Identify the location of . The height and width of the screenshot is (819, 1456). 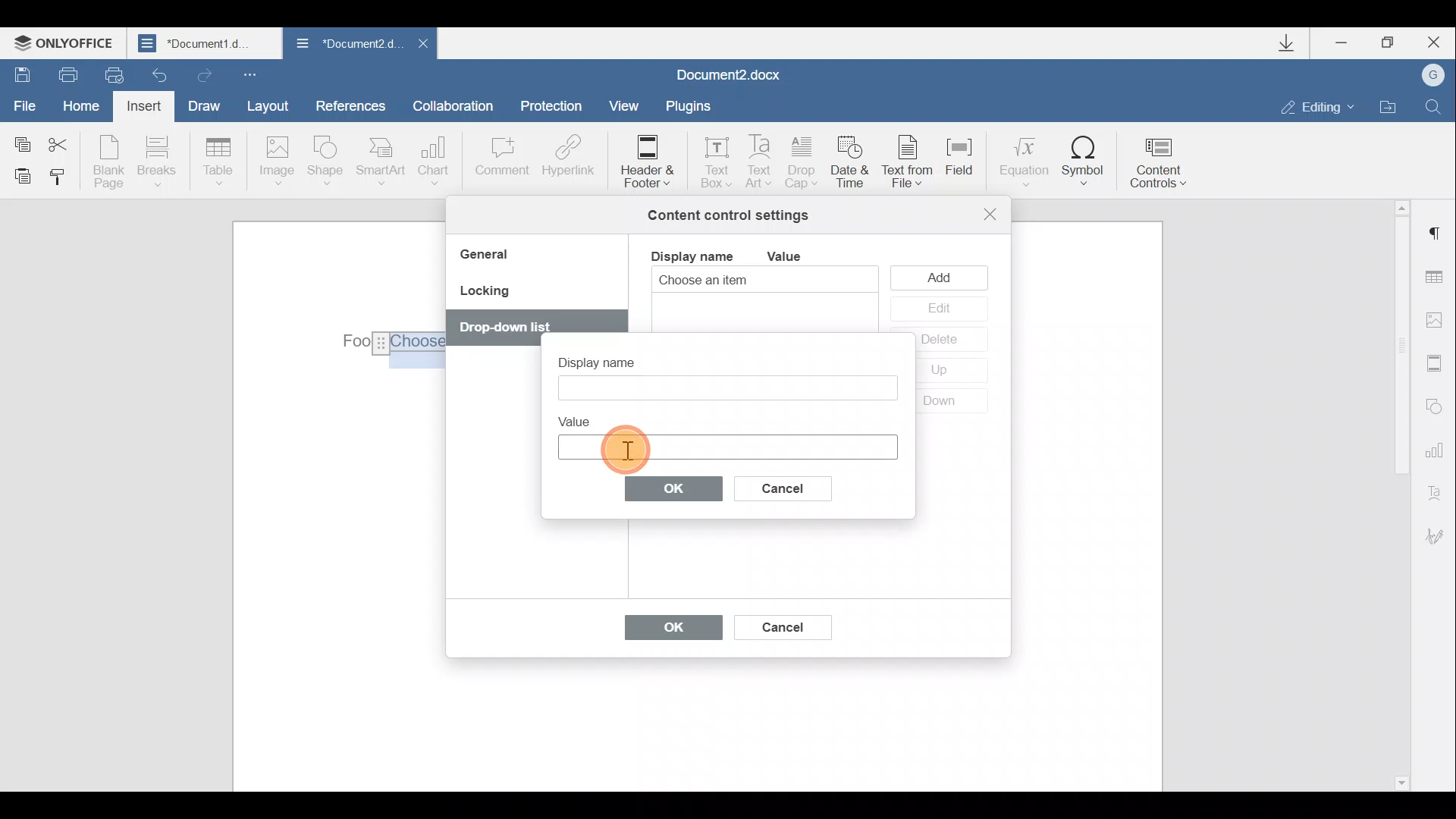
(505, 328).